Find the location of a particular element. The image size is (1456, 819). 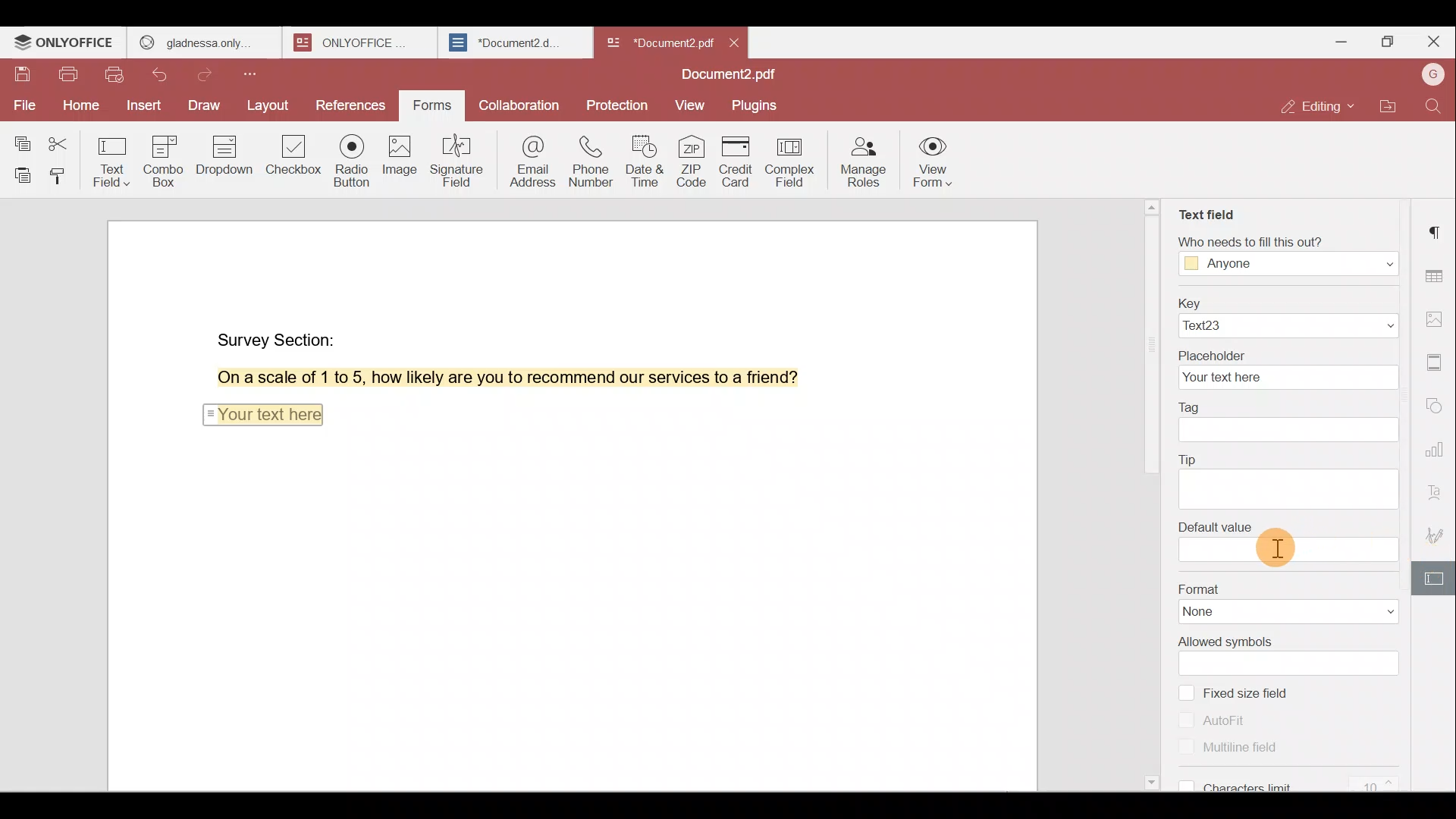

View is located at coordinates (690, 106).